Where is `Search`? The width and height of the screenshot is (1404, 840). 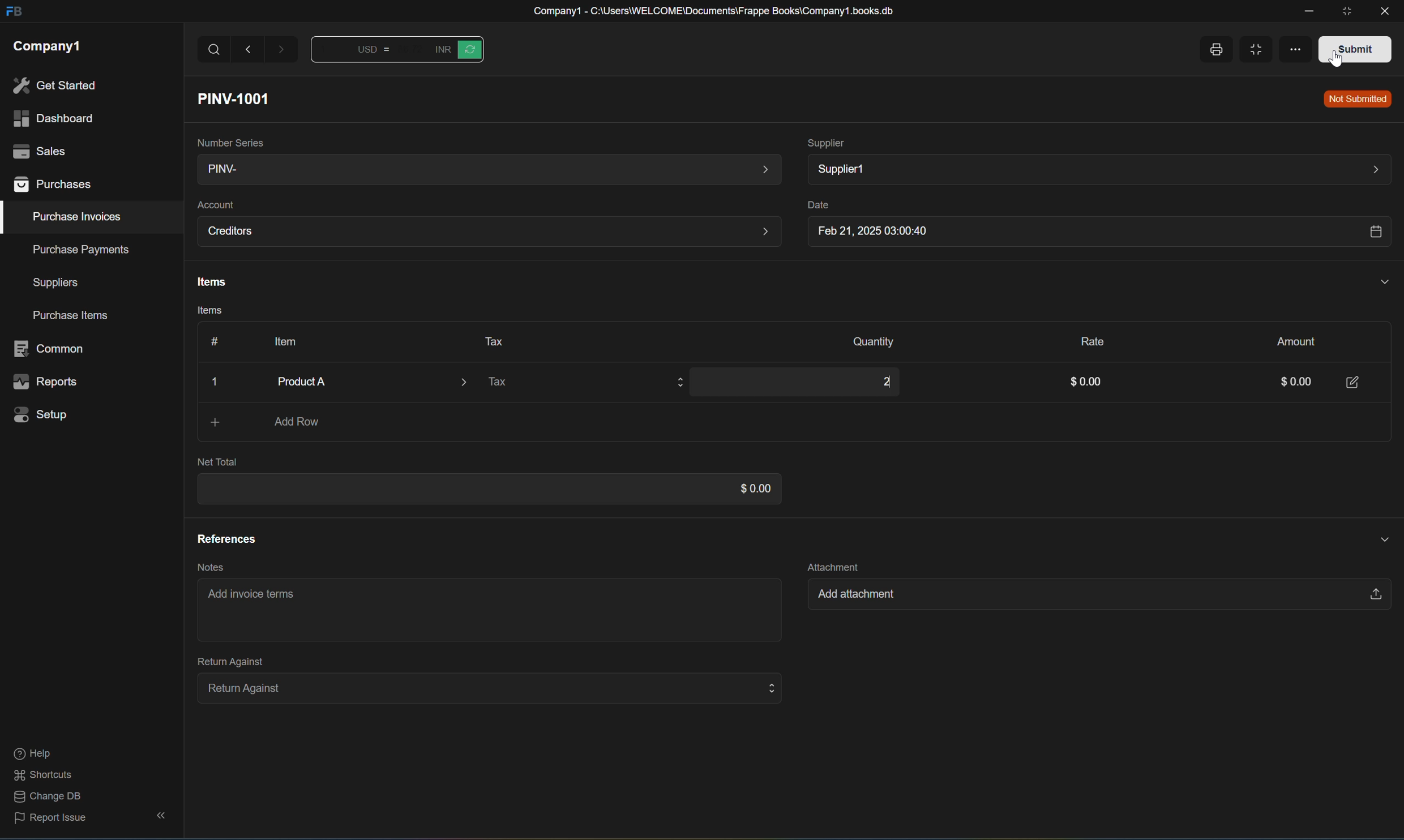
Search is located at coordinates (214, 50).